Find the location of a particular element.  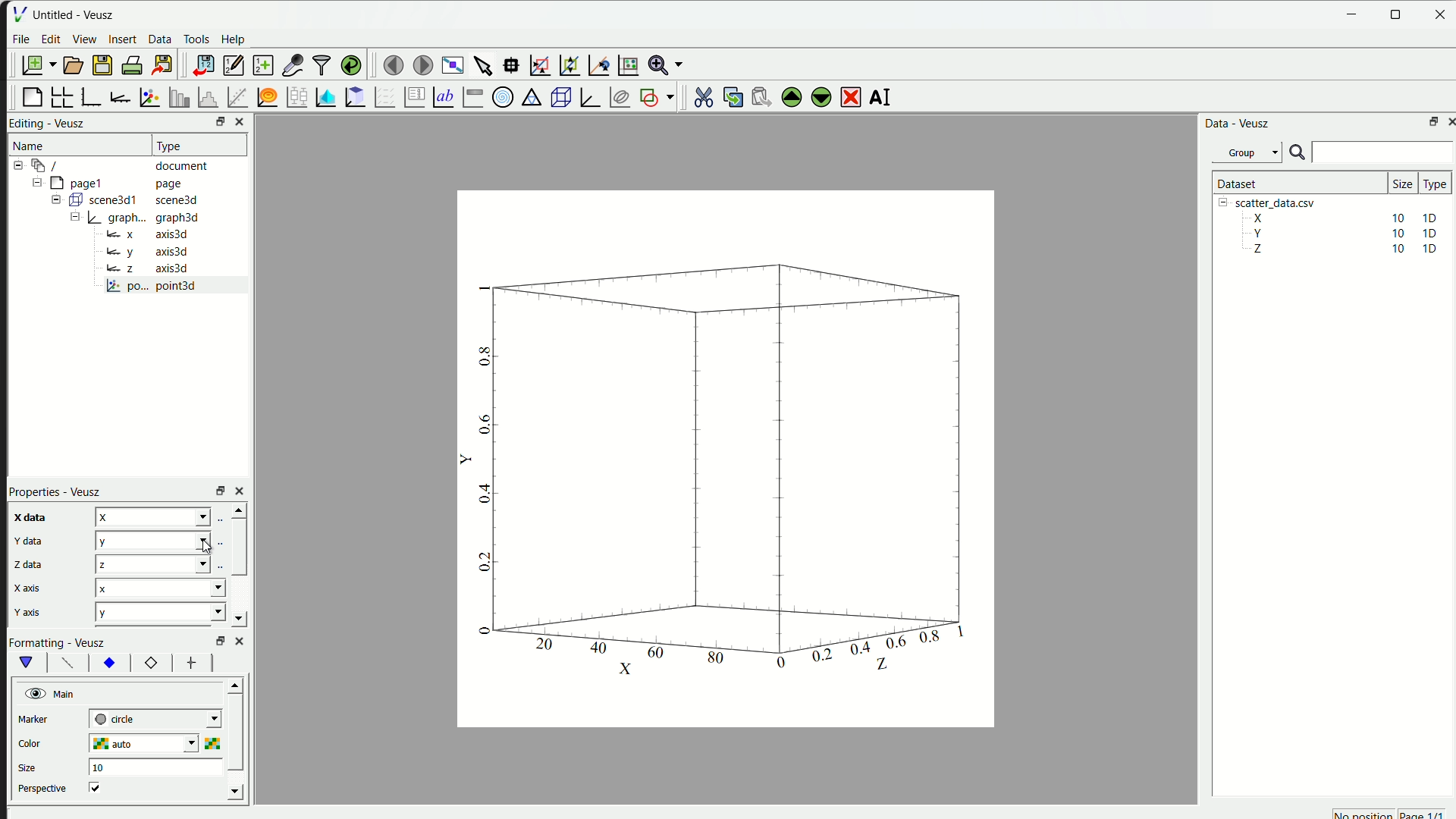

search icon is located at coordinates (1298, 152).